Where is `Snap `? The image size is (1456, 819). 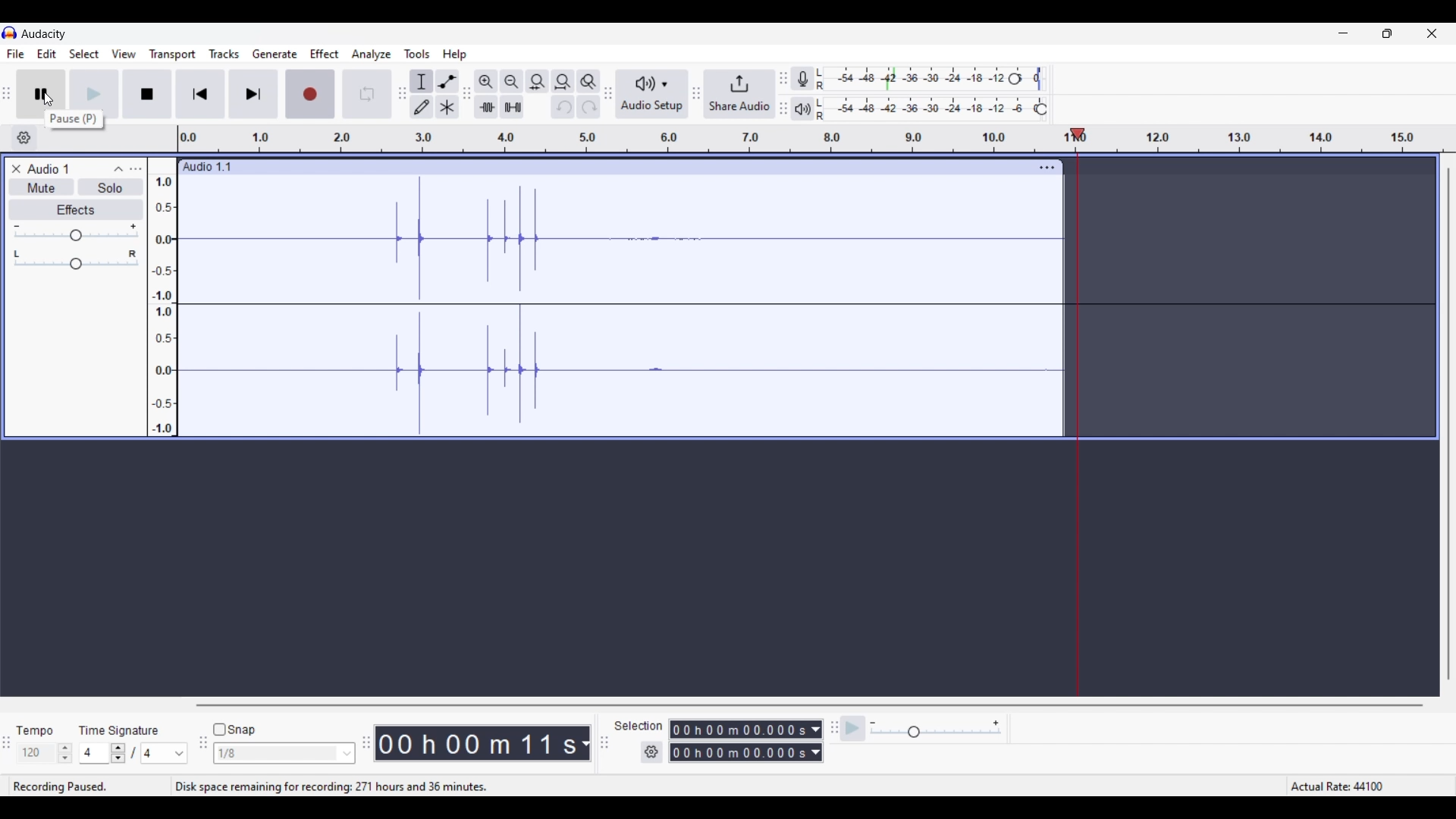 Snap  is located at coordinates (234, 730).